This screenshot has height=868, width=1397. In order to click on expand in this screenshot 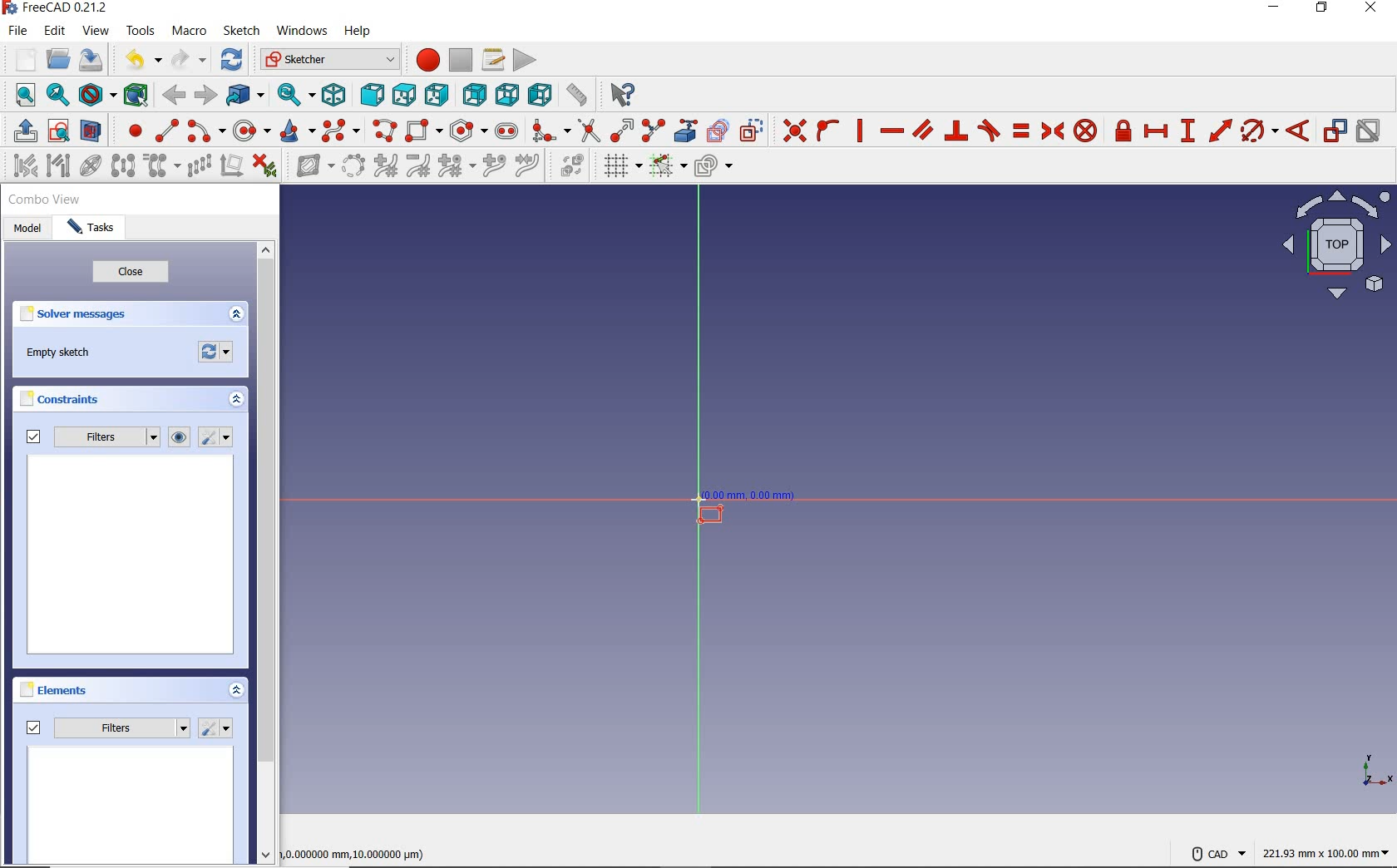, I will do `click(237, 401)`.